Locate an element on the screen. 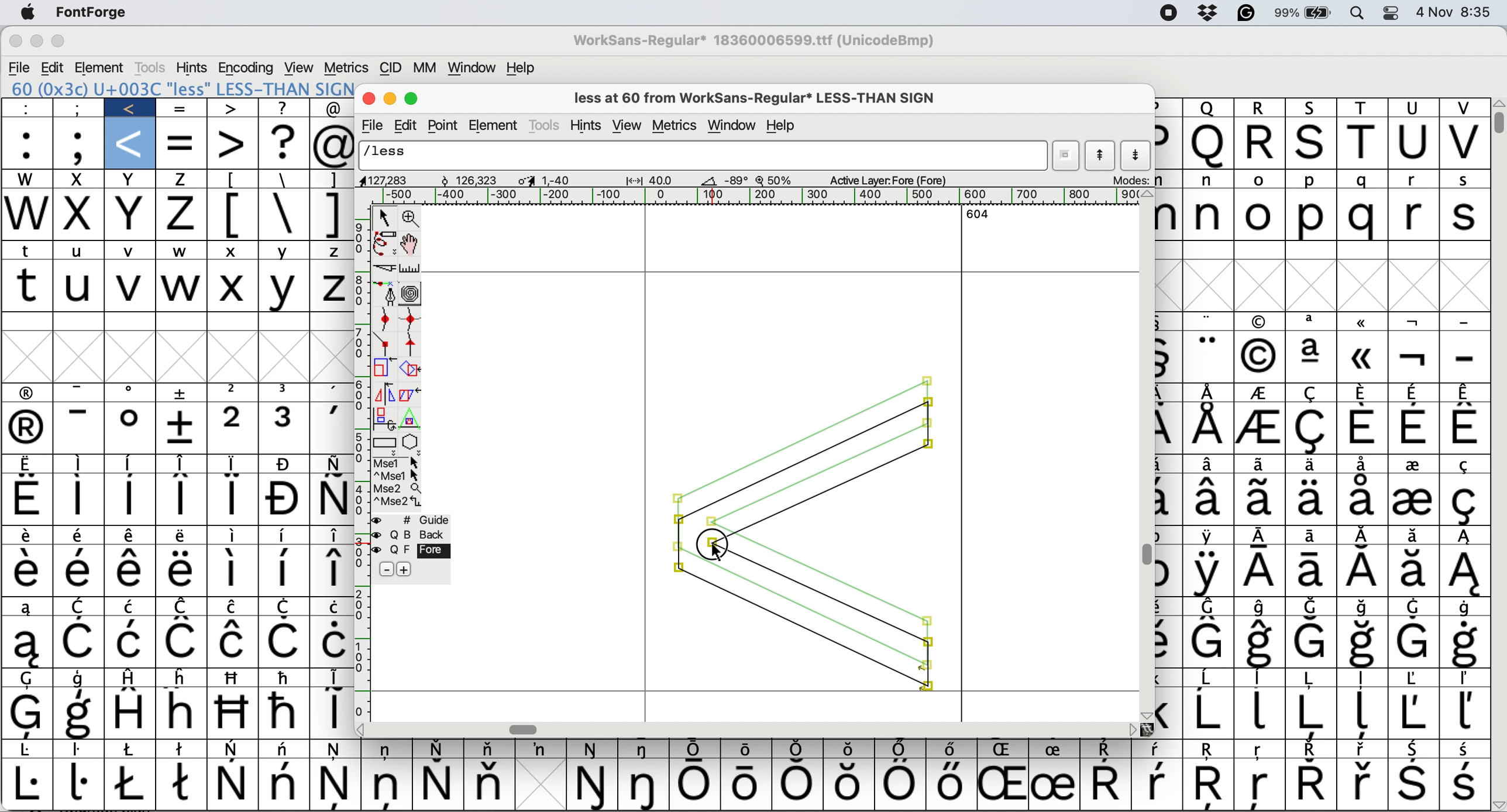 This screenshot has width=1507, height=812. 3 is located at coordinates (285, 390).